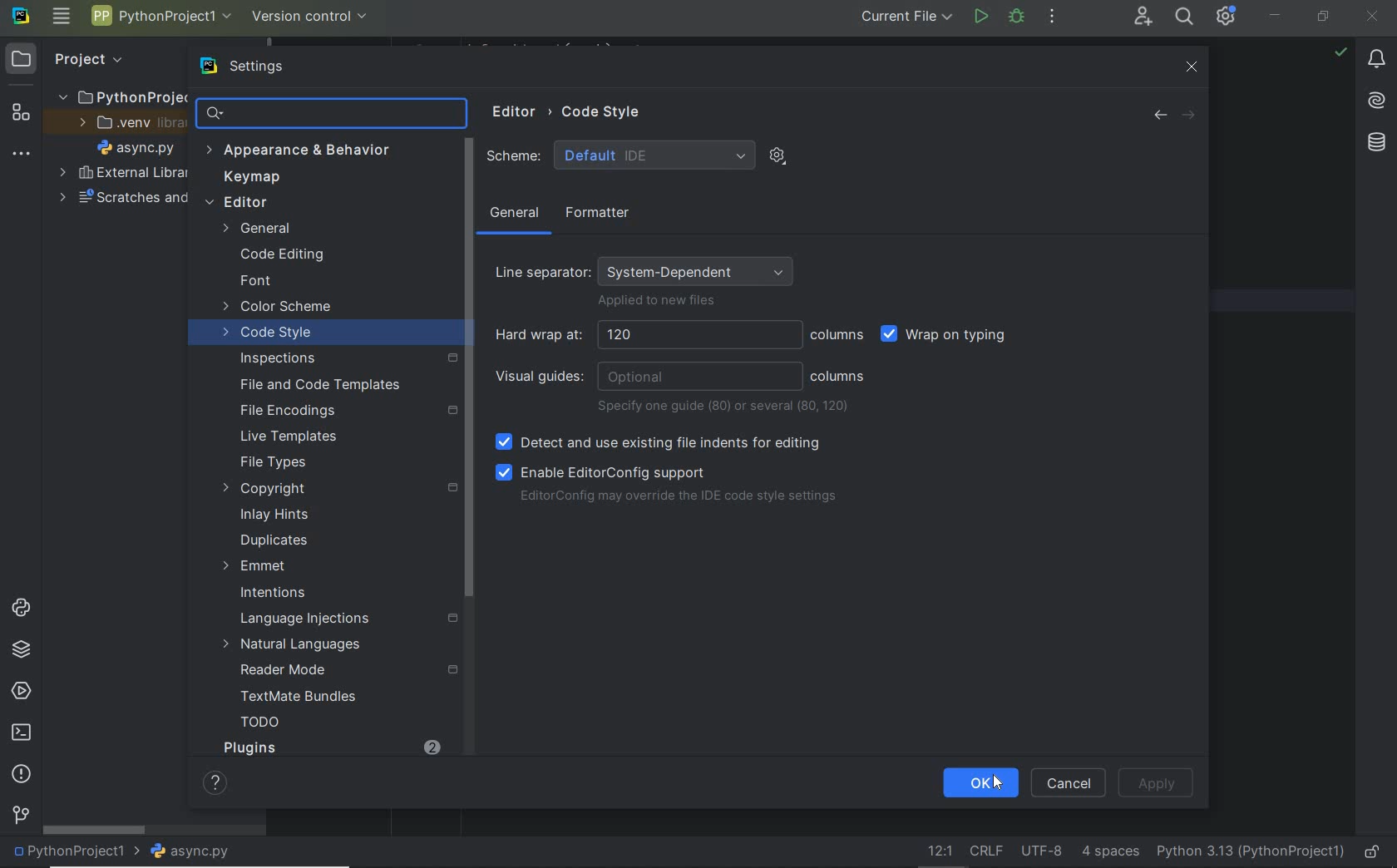 The width and height of the screenshot is (1397, 868). Describe the element at coordinates (949, 337) in the screenshot. I see `wrap on typing` at that location.